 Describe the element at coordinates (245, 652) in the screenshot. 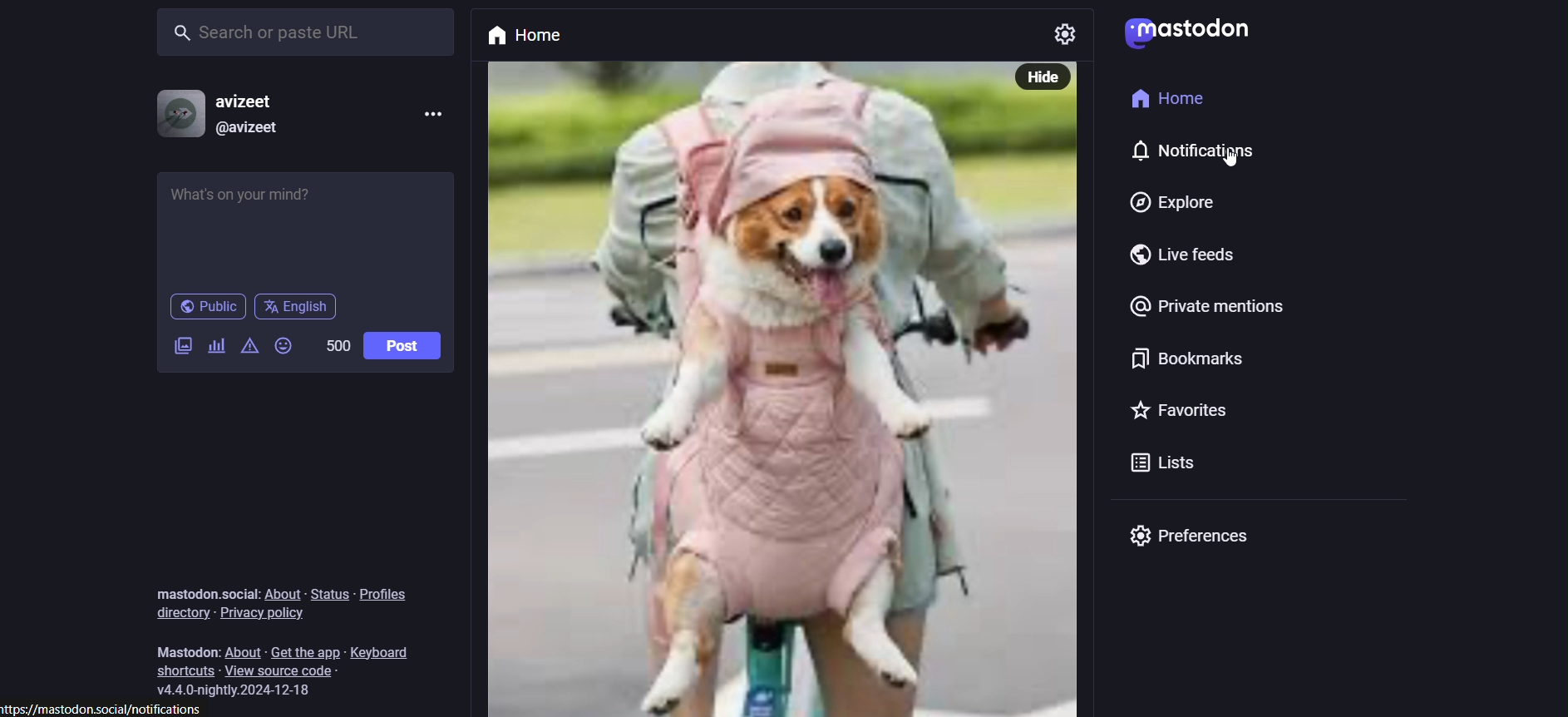

I see `about` at that location.